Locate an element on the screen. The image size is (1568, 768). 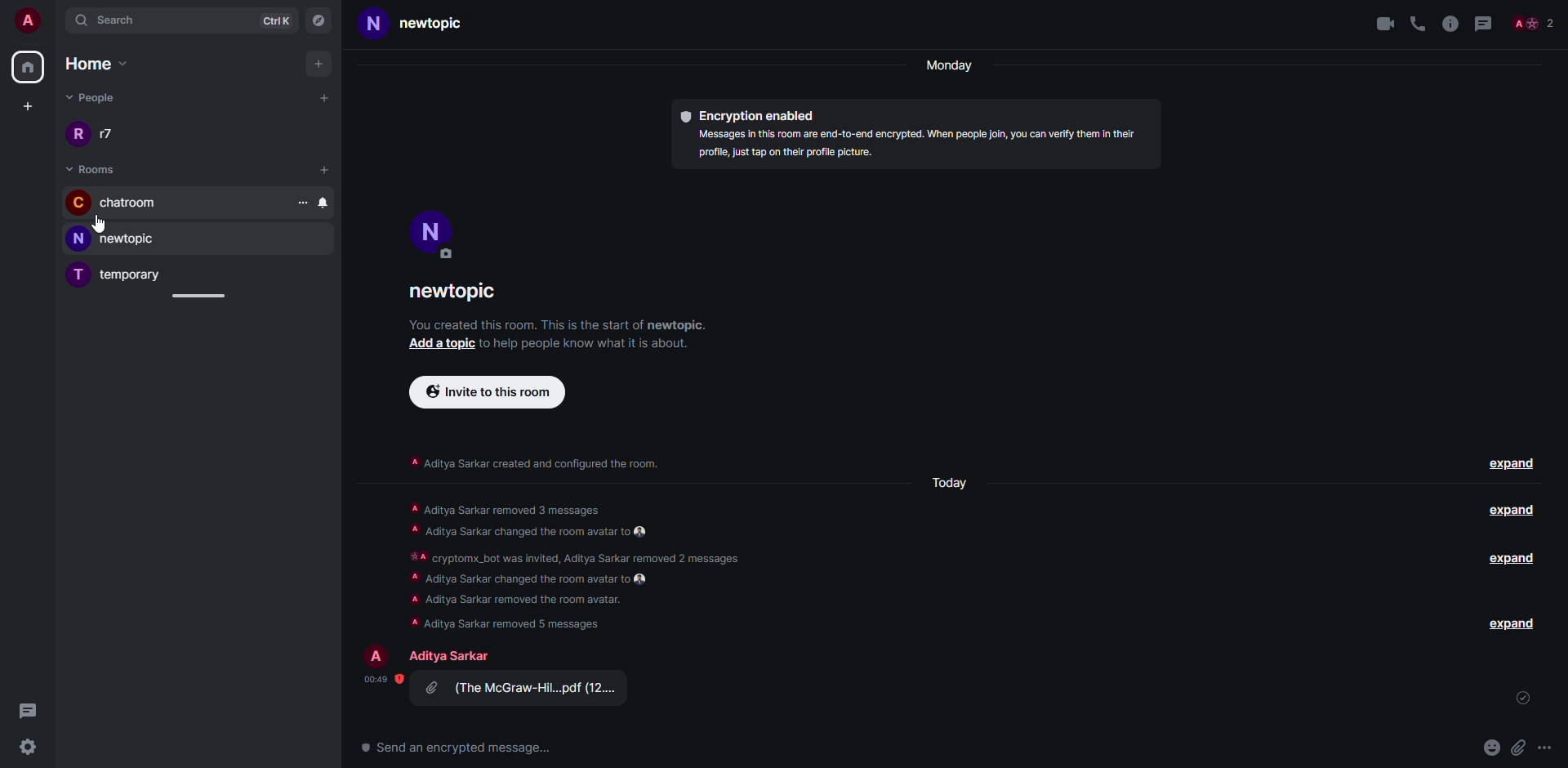
threads is located at coordinates (27, 710).